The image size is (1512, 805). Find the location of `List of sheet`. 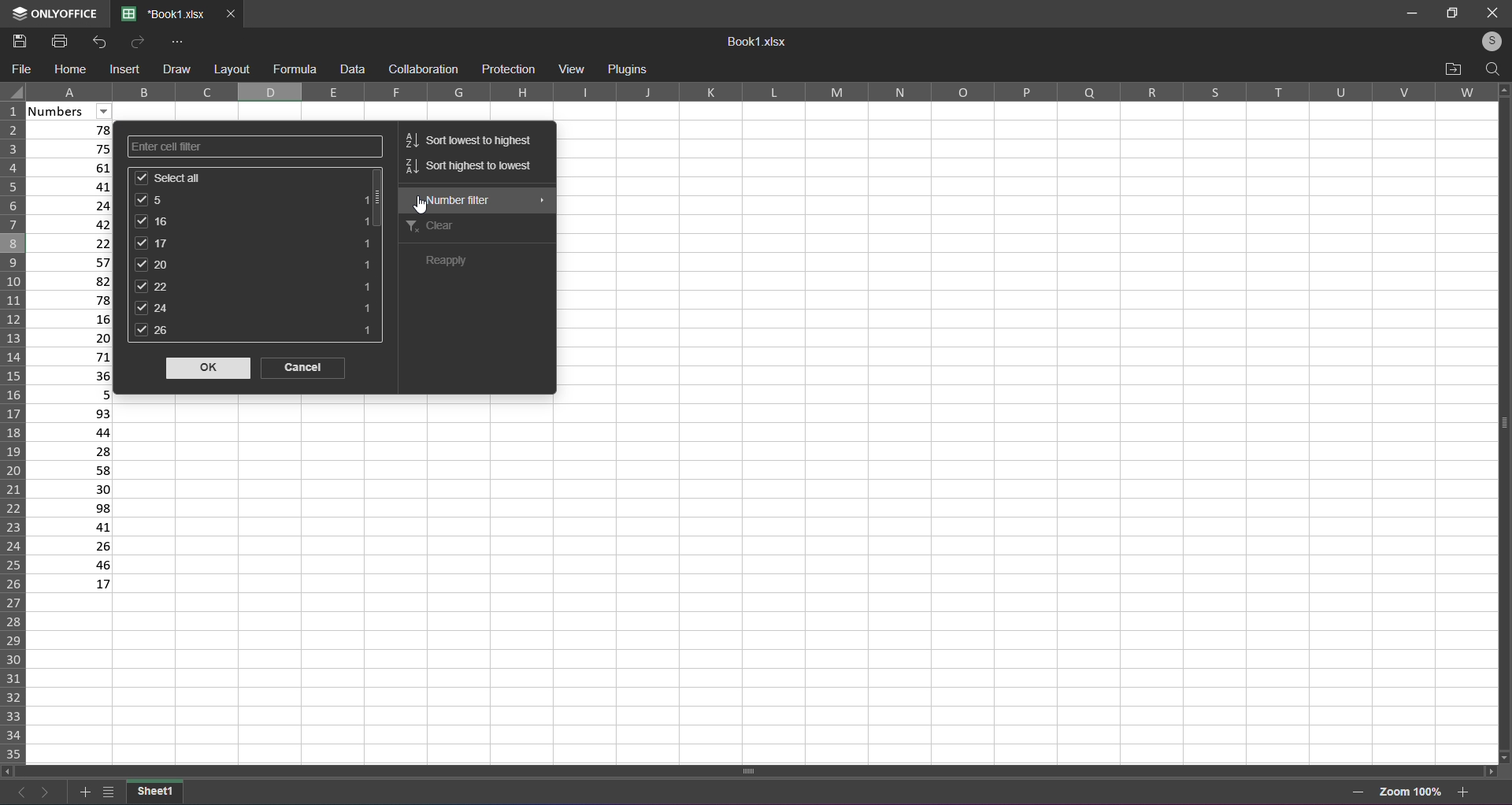

List of sheet is located at coordinates (108, 790).